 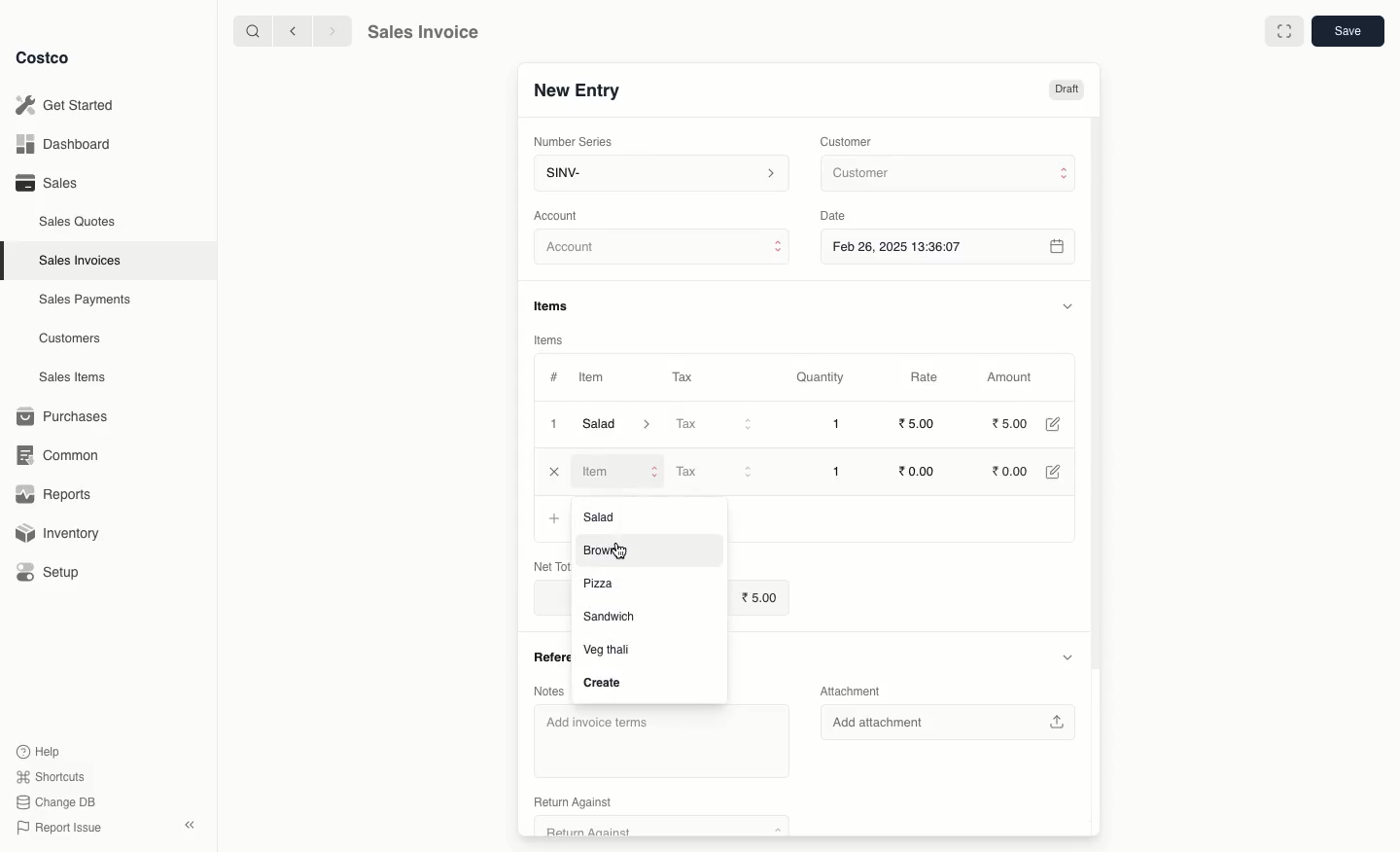 What do you see at coordinates (621, 473) in the screenshot?
I see `Item` at bounding box center [621, 473].